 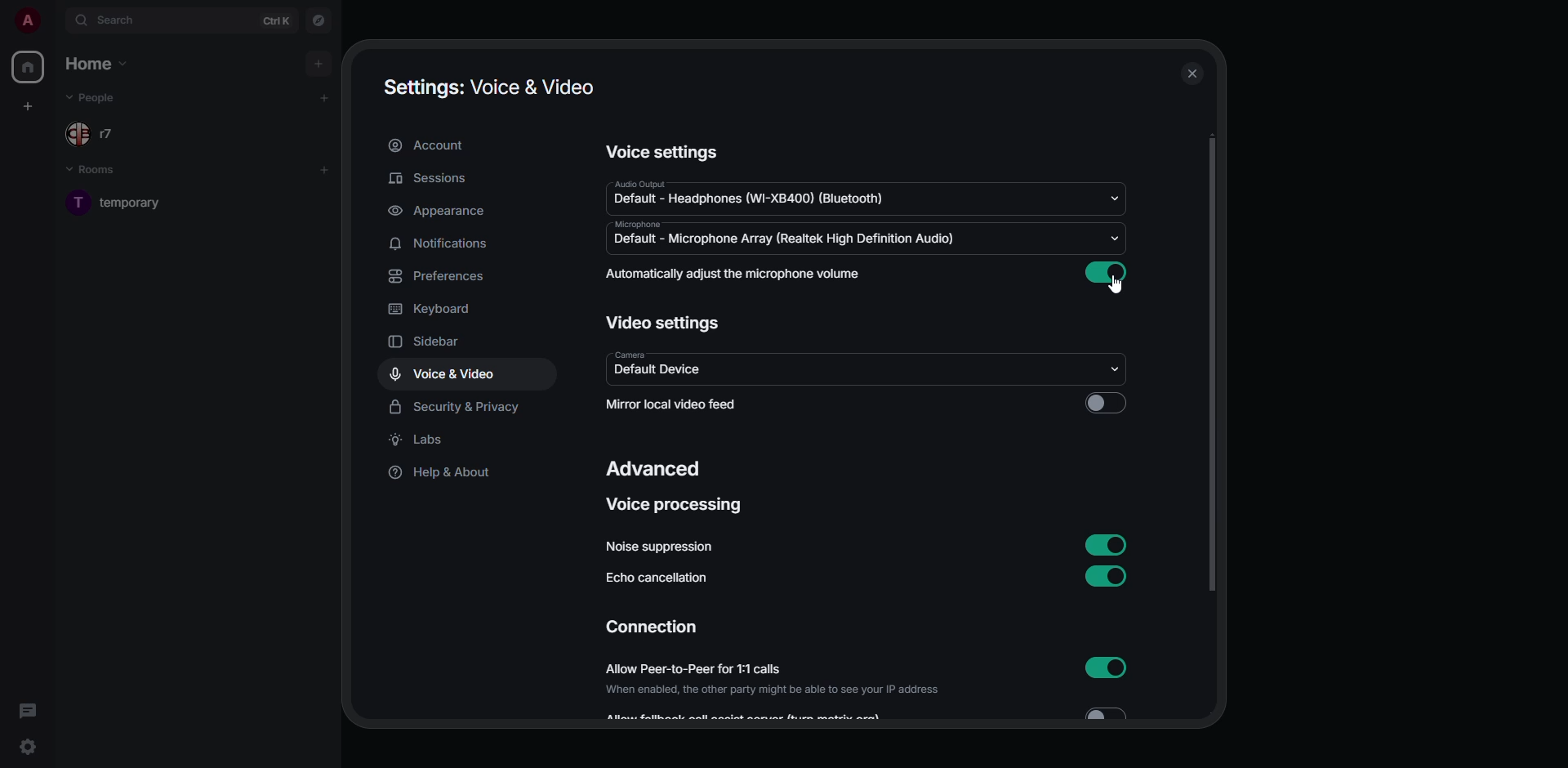 What do you see at coordinates (100, 65) in the screenshot?
I see `home` at bounding box center [100, 65].